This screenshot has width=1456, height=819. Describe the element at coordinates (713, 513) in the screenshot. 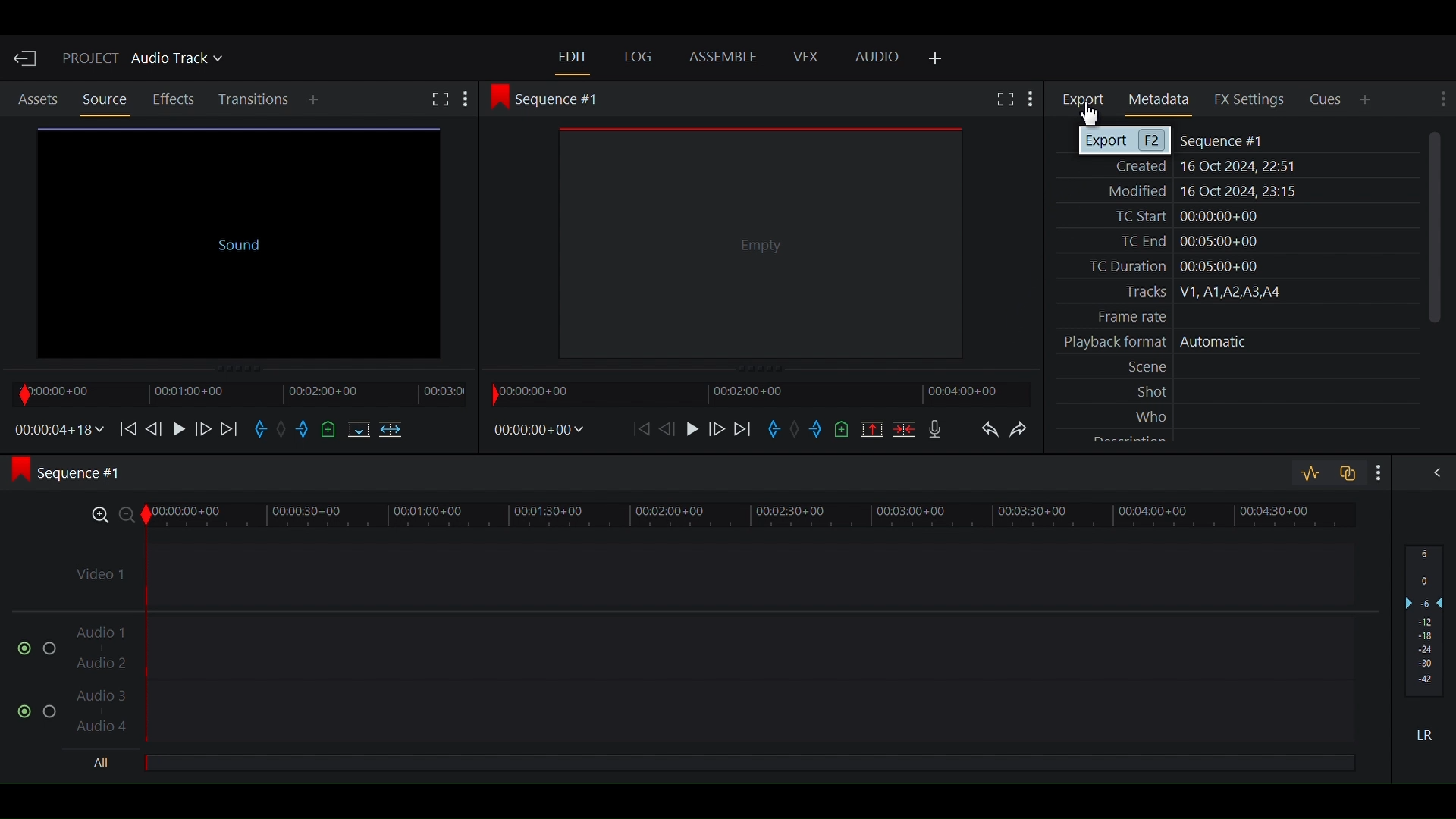

I see `Zoom Timeline` at that location.